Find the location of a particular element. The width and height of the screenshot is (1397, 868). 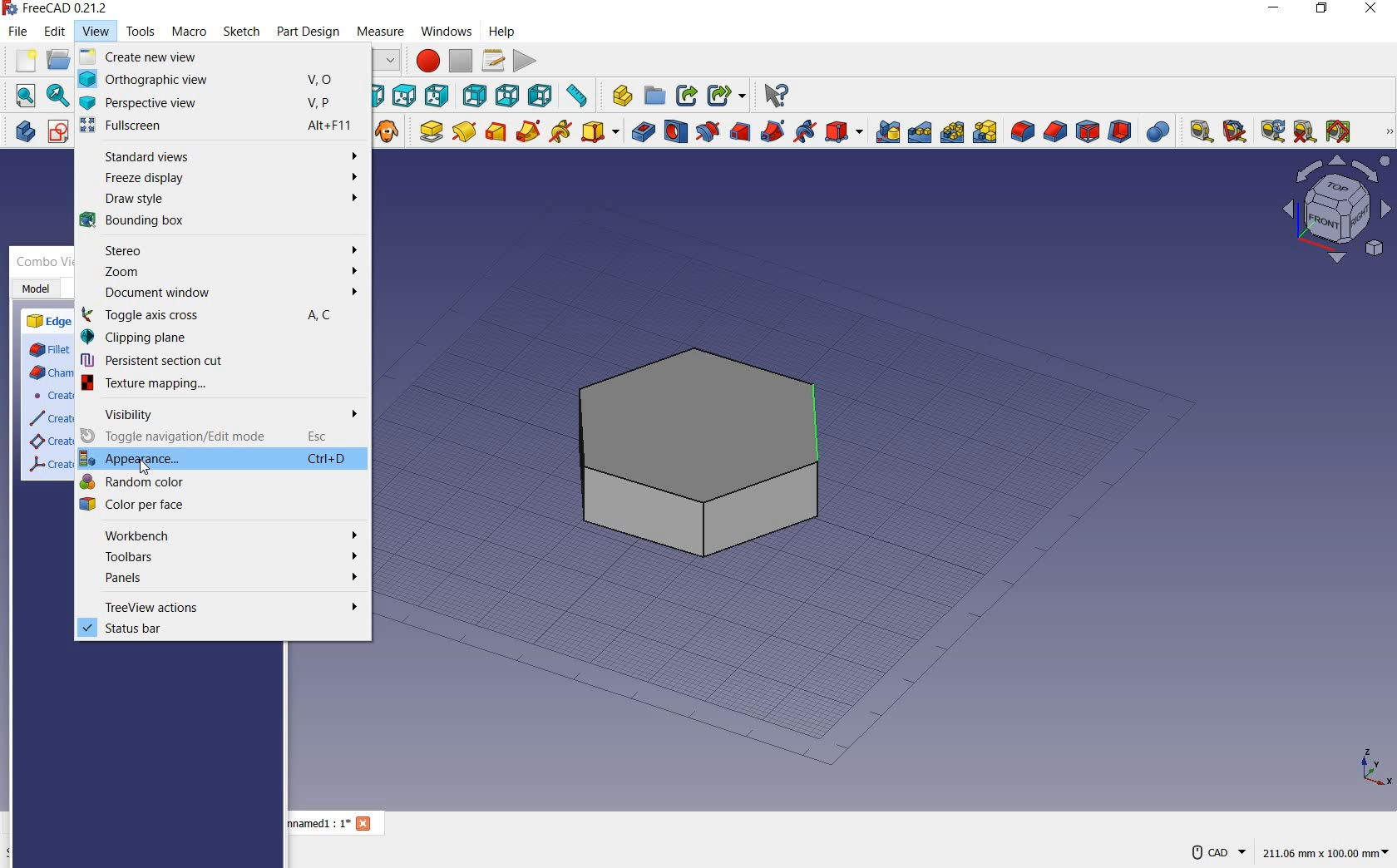

tools is located at coordinates (142, 33).